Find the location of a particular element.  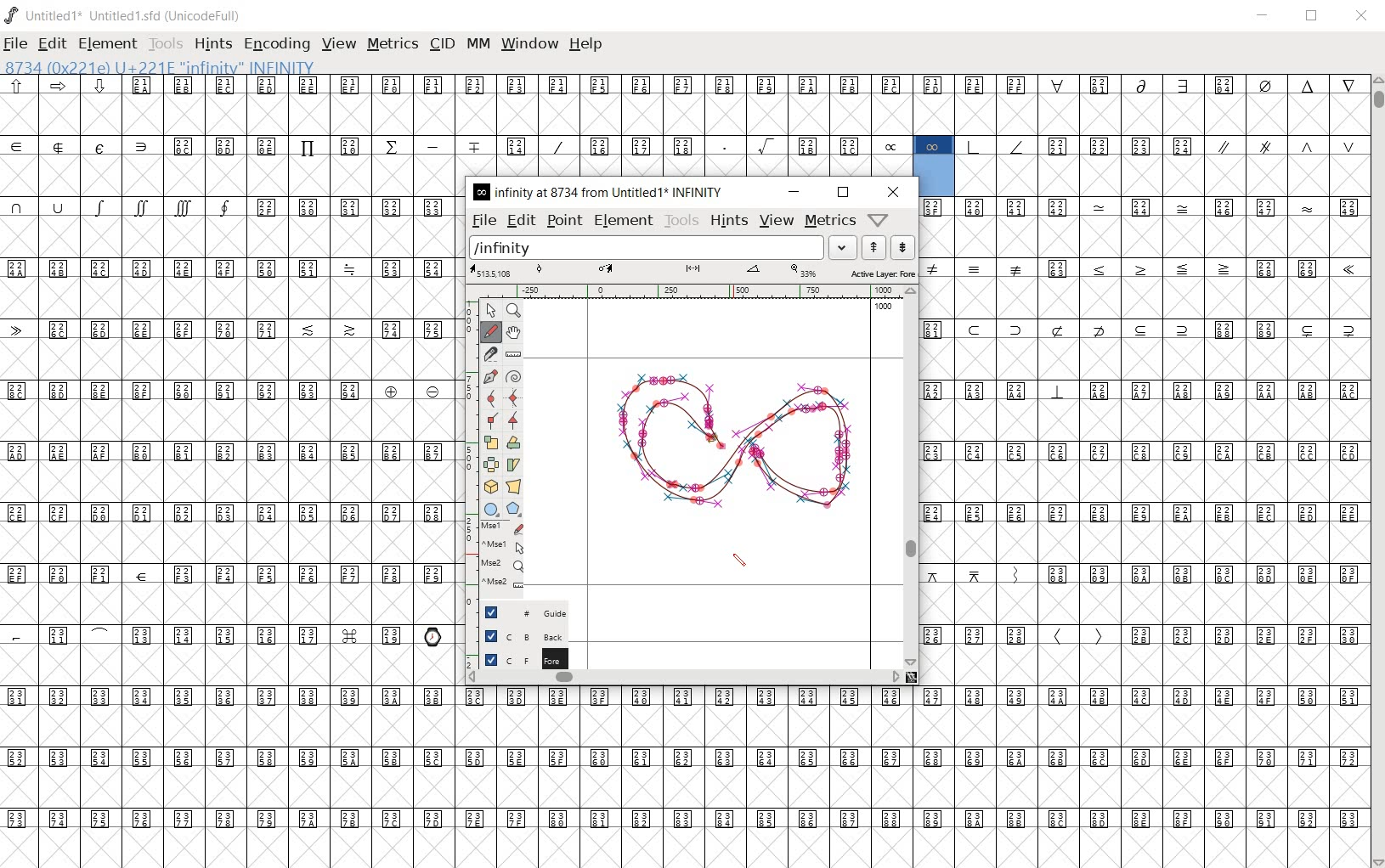

empty glyph slots is located at coordinates (1149, 483).